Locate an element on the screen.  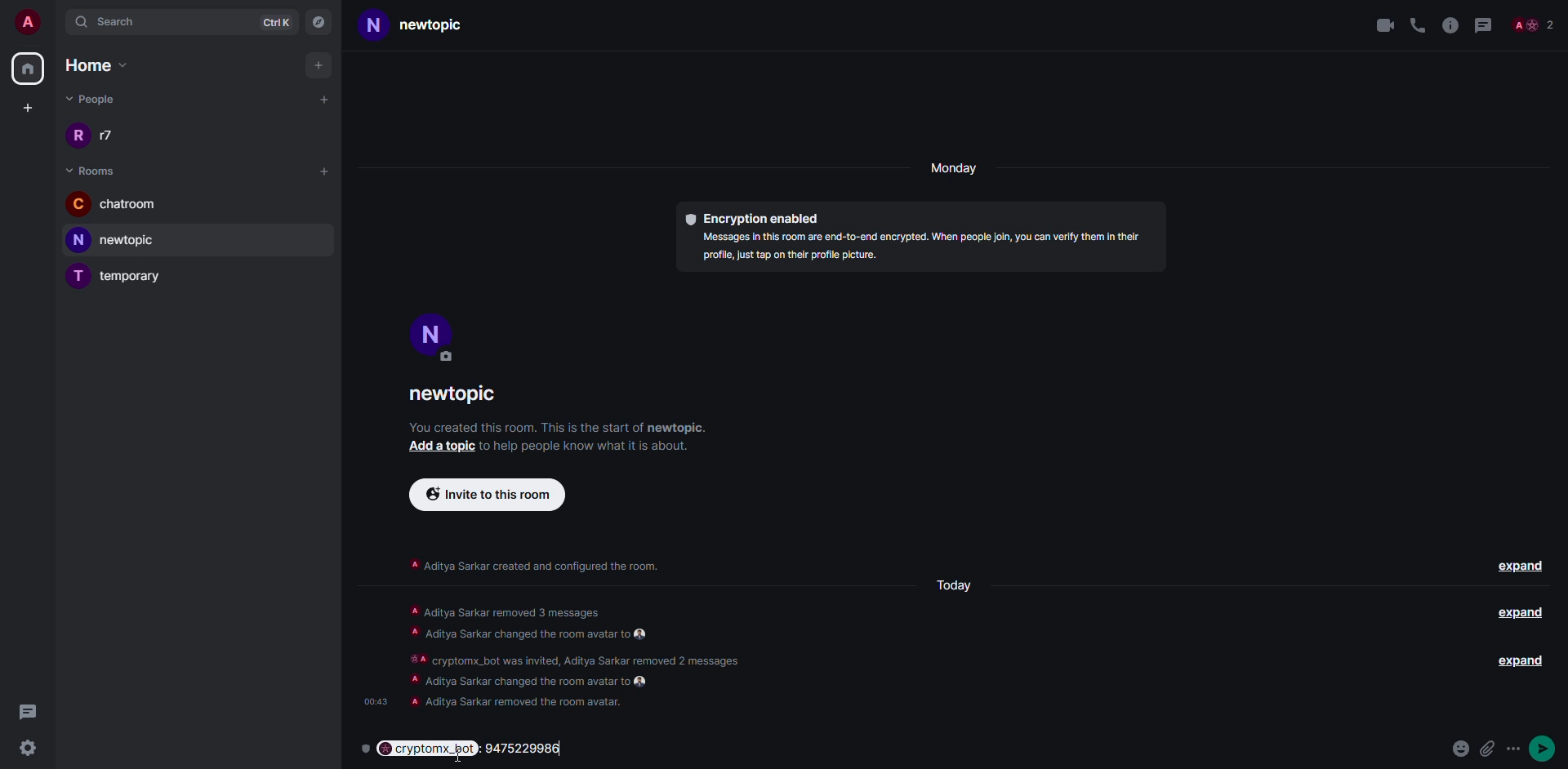
time is located at coordinates (374, 696).